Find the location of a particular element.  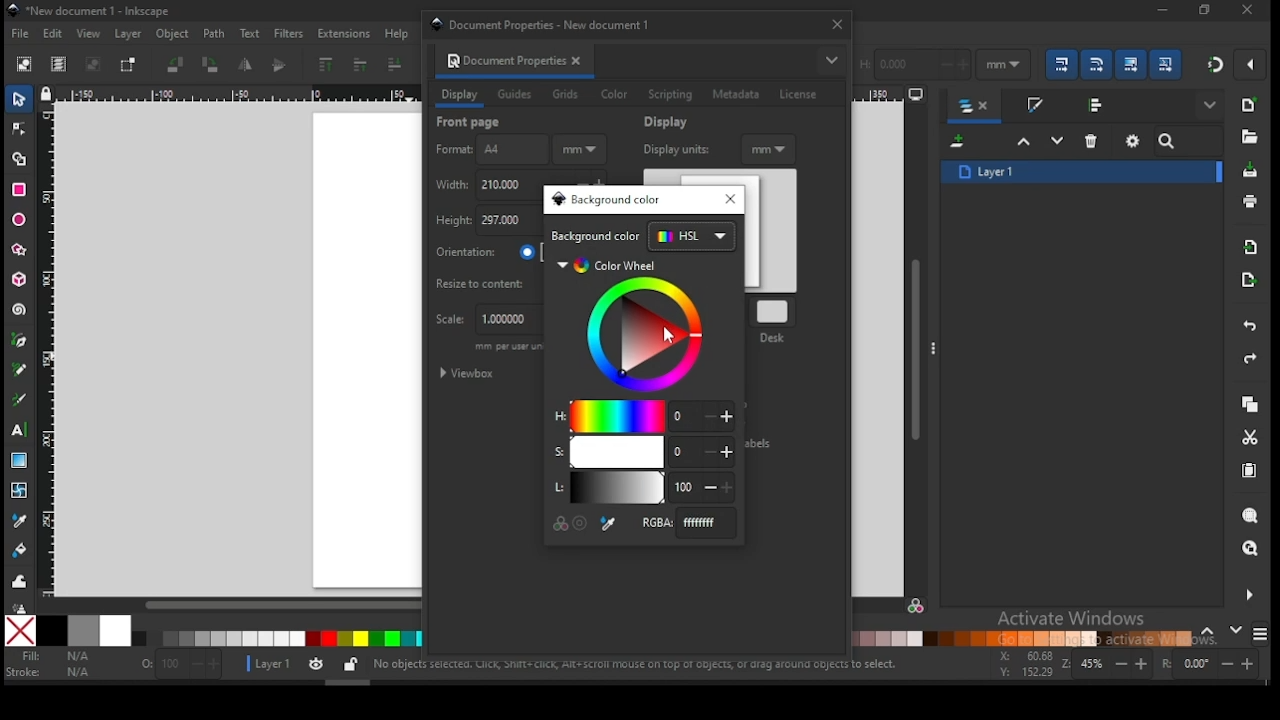

display is located at coordinates (459, 95).